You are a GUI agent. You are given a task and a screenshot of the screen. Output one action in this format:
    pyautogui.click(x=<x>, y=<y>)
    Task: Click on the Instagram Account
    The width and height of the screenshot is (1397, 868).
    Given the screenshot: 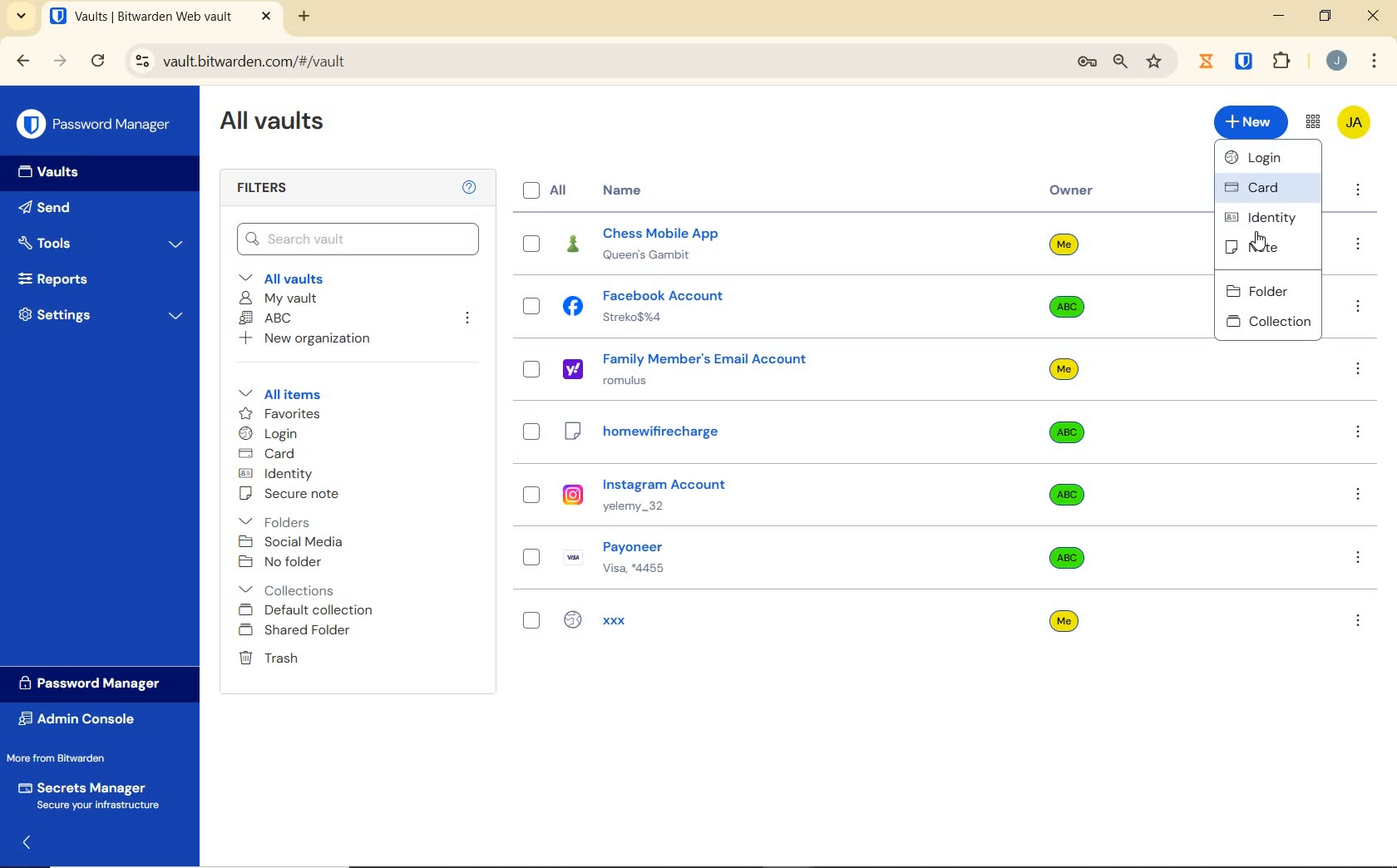 What is the action you would take?
    pyautogui.click(x=683, y=495)
    